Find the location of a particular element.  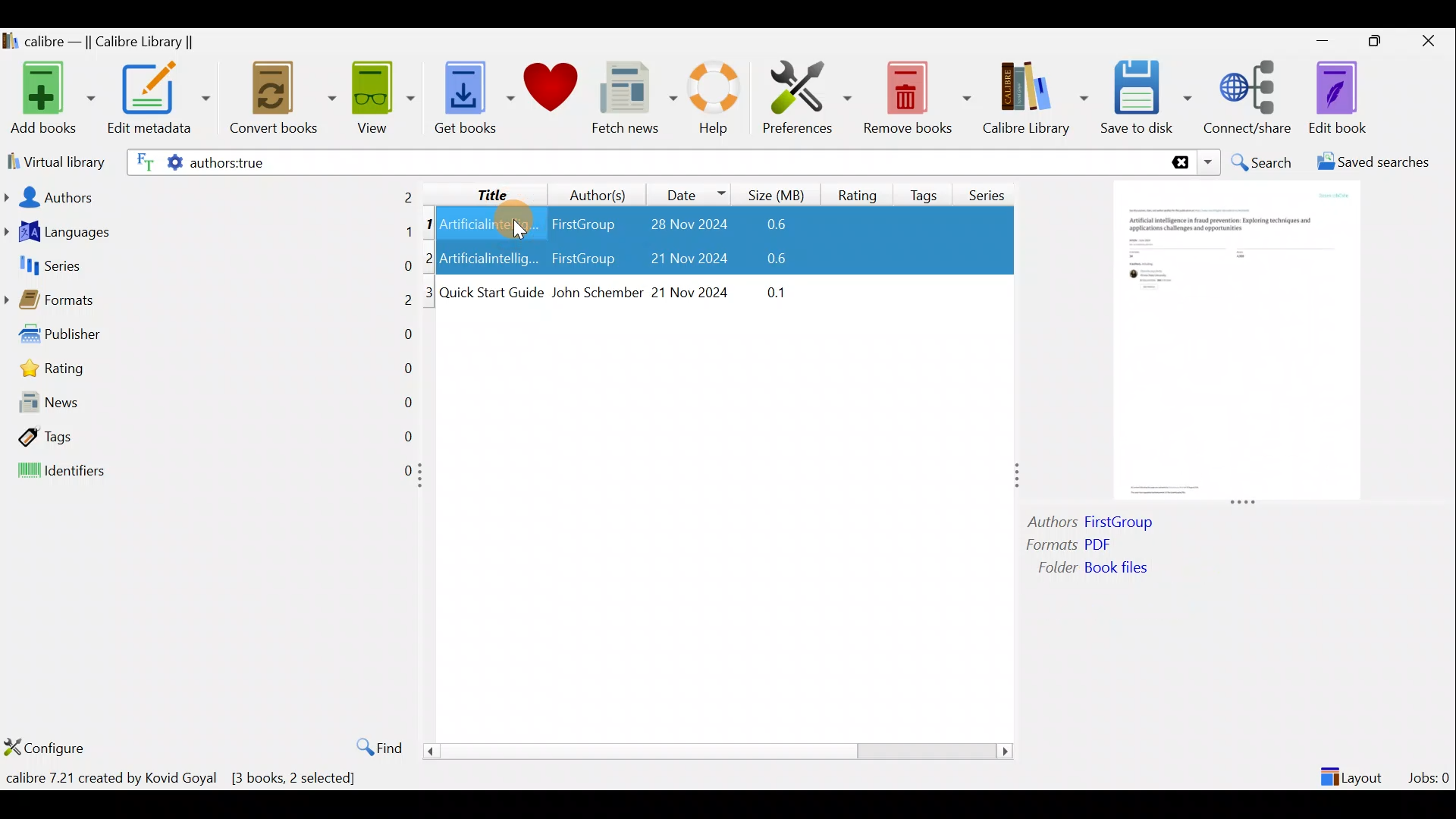

0.6 is located at coordinates (763, 261).